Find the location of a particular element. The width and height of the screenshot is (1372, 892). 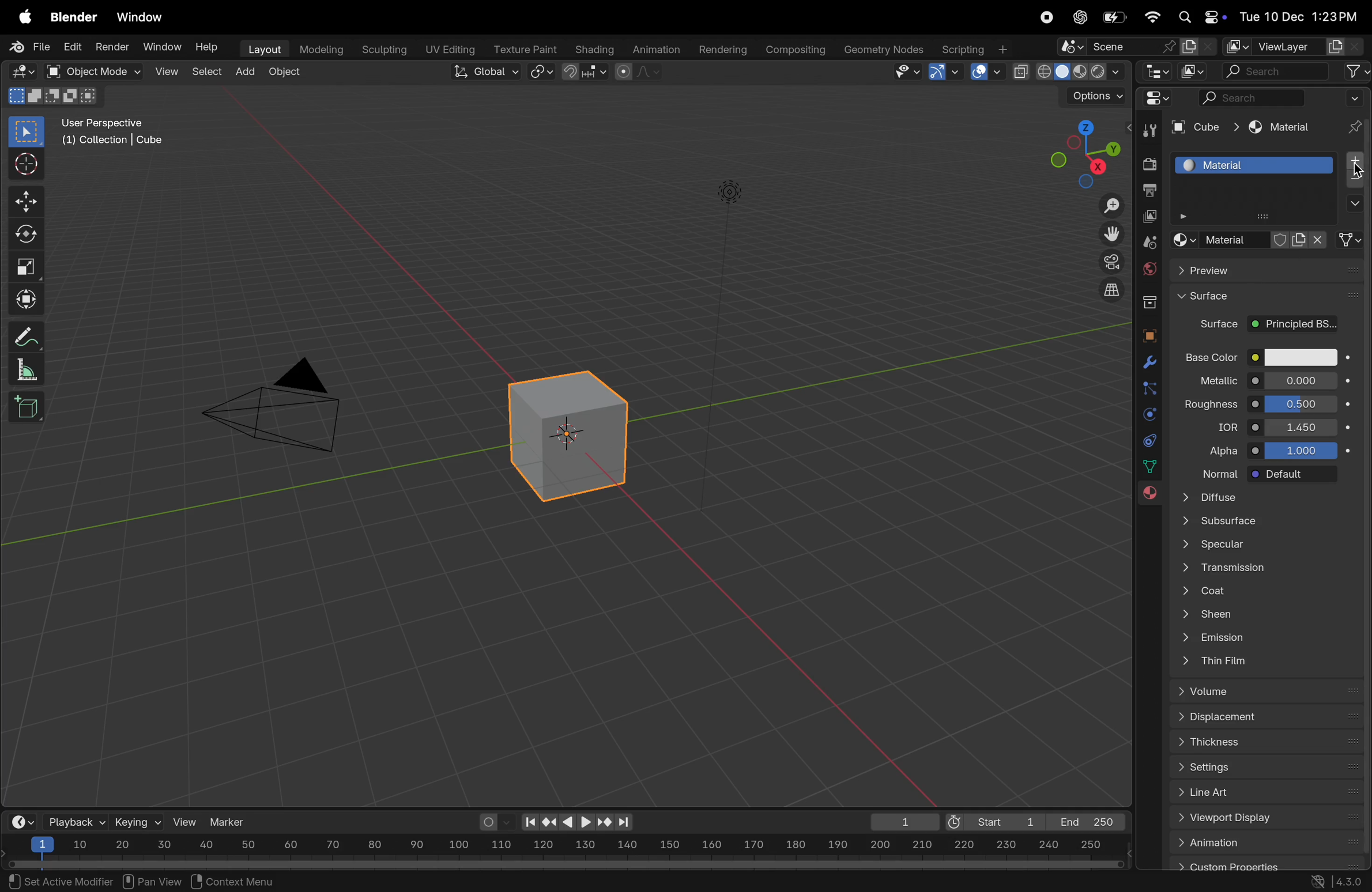

cune is located at coordinates (1203, 127).